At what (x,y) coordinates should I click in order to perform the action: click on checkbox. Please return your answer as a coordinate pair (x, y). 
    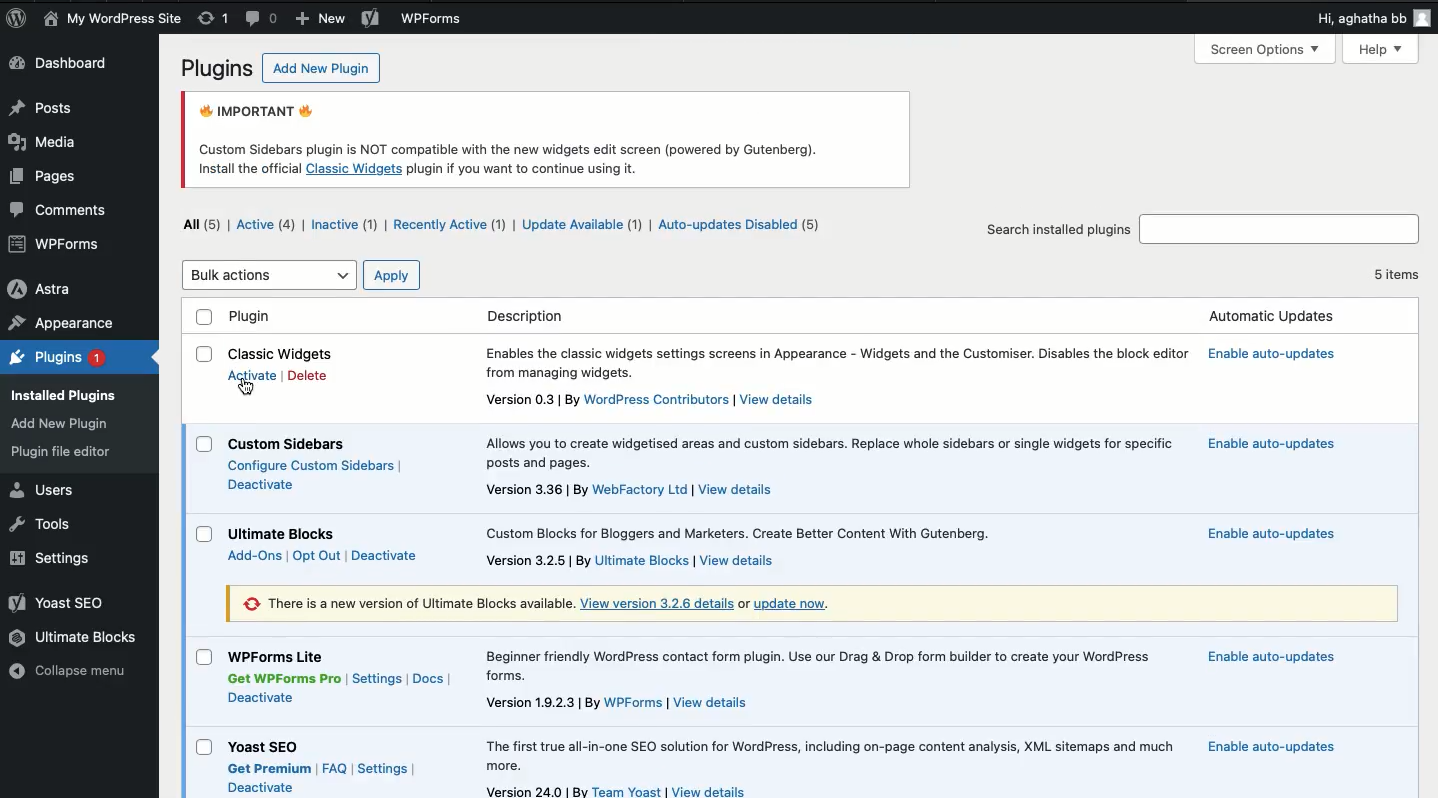
    Looking at the image, I should click on (204, 747).